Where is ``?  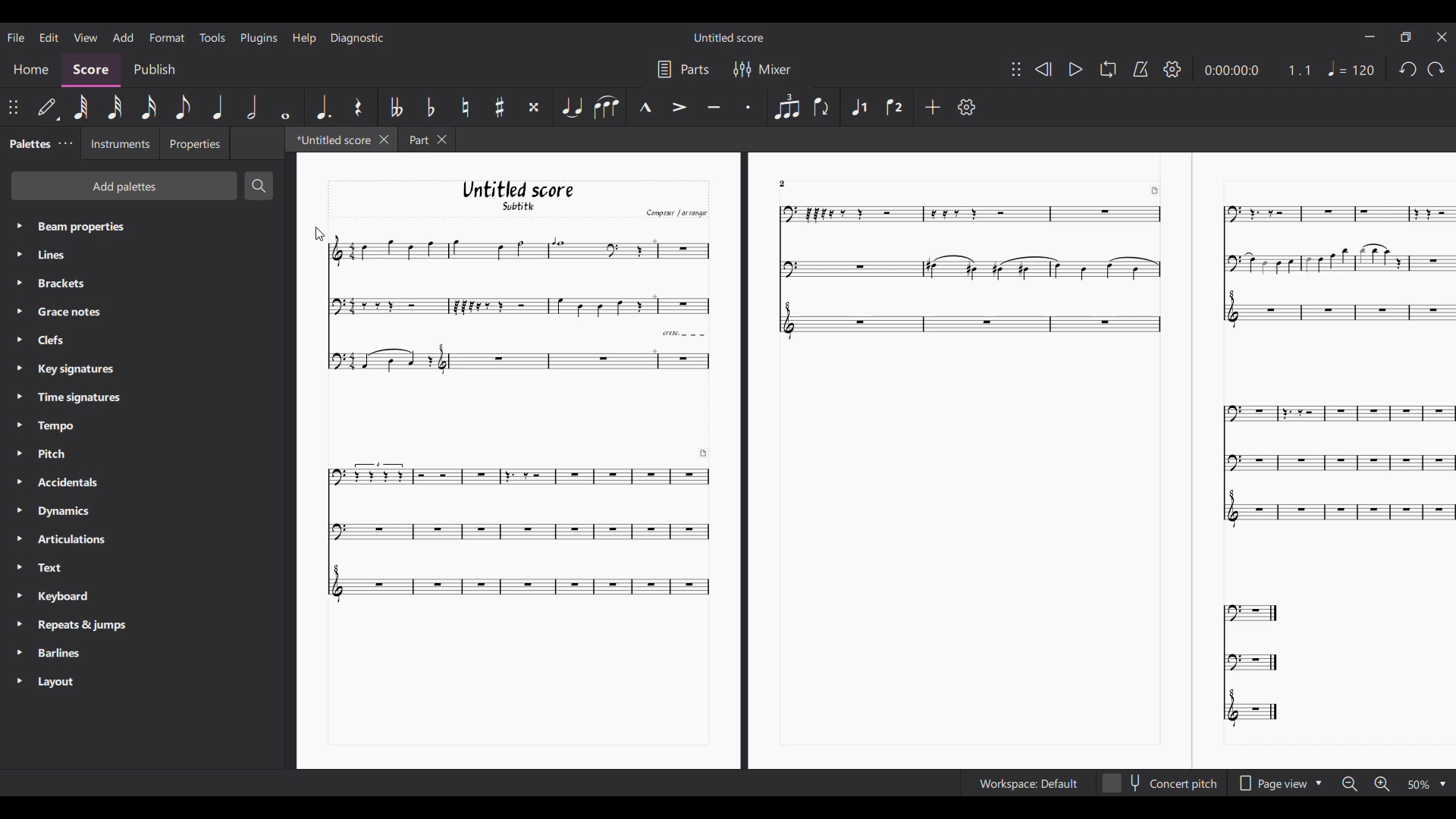  is located at coordinates (1250, 613).